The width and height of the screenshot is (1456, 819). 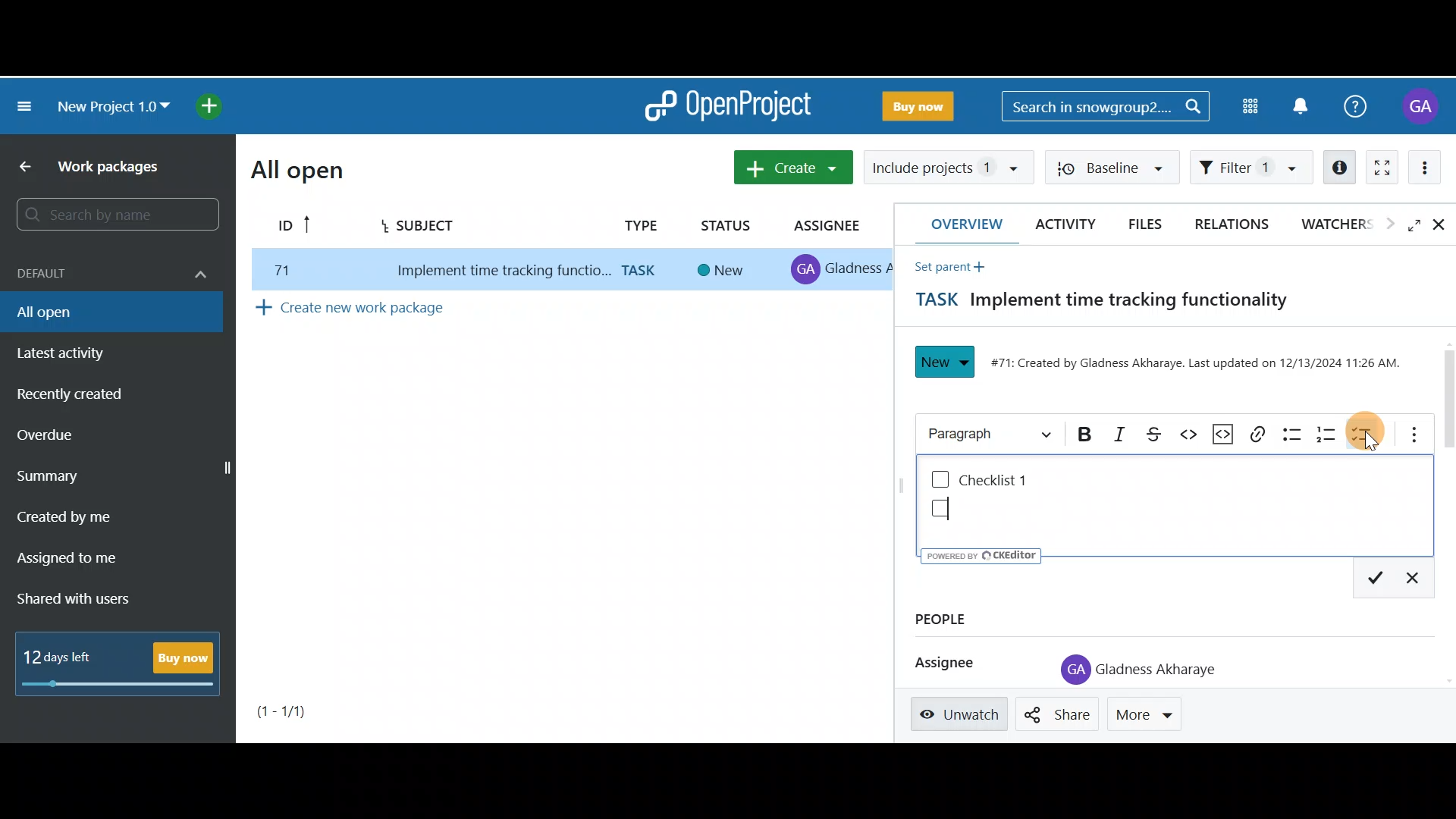 I want to click on Created by me, so click(x=85, y=511).